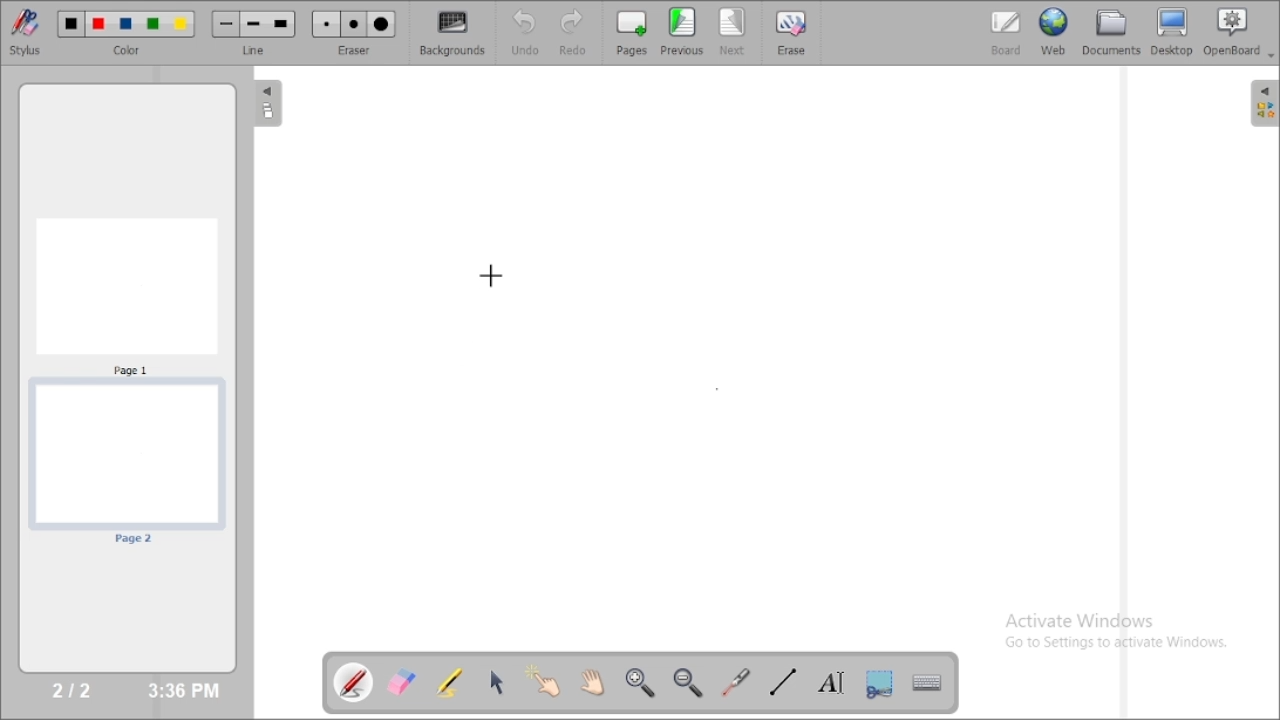  What do you see at coordinates (639, 683) in the screenshot?
I see `zoom in` at bounding box center [639, 683].